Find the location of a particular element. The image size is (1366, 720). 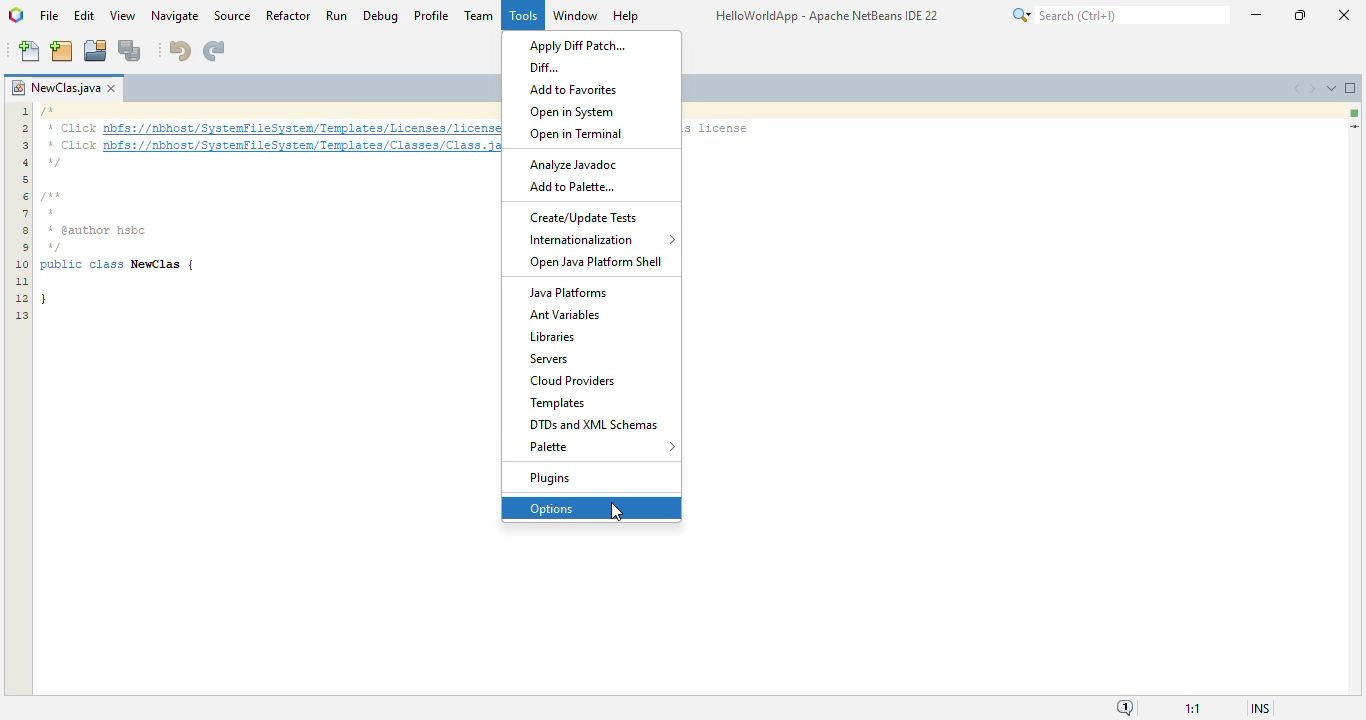

options is located at coordinates (552, 509).